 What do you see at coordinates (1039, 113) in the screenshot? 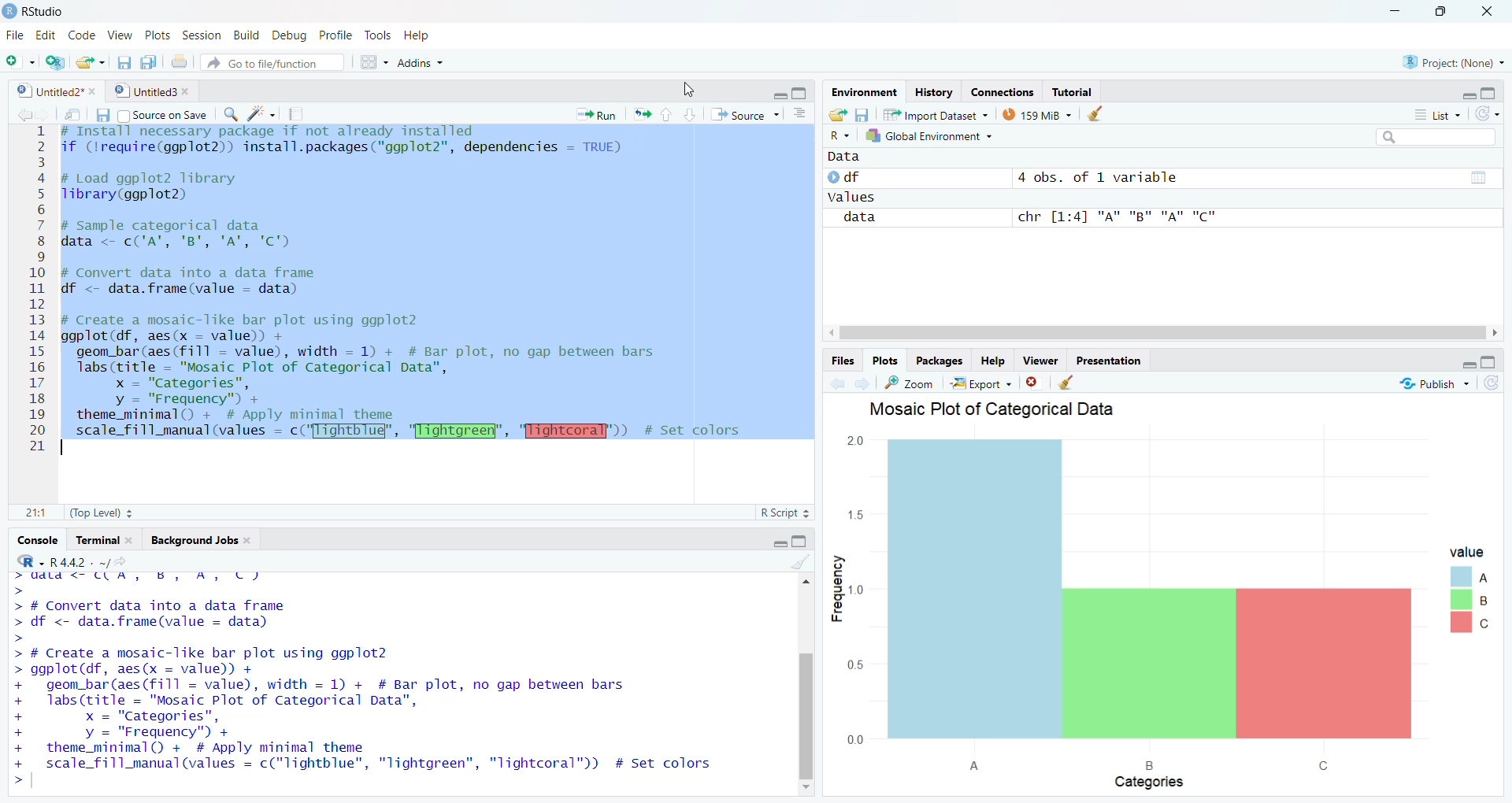
I see `159 MiB` at bounding box center [1039, 113].